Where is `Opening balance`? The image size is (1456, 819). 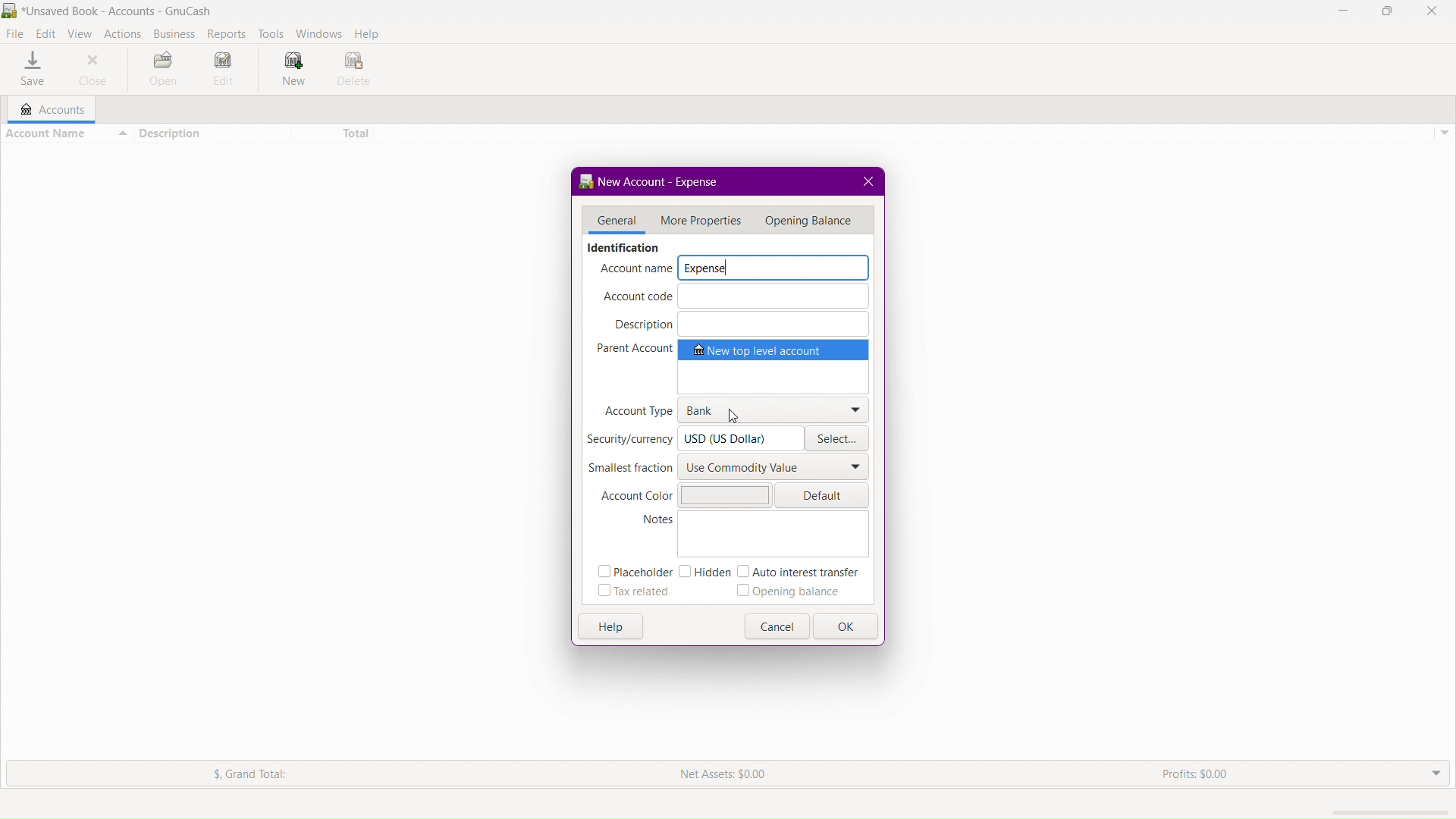 Opening balance is located at coordinates (794, 592).